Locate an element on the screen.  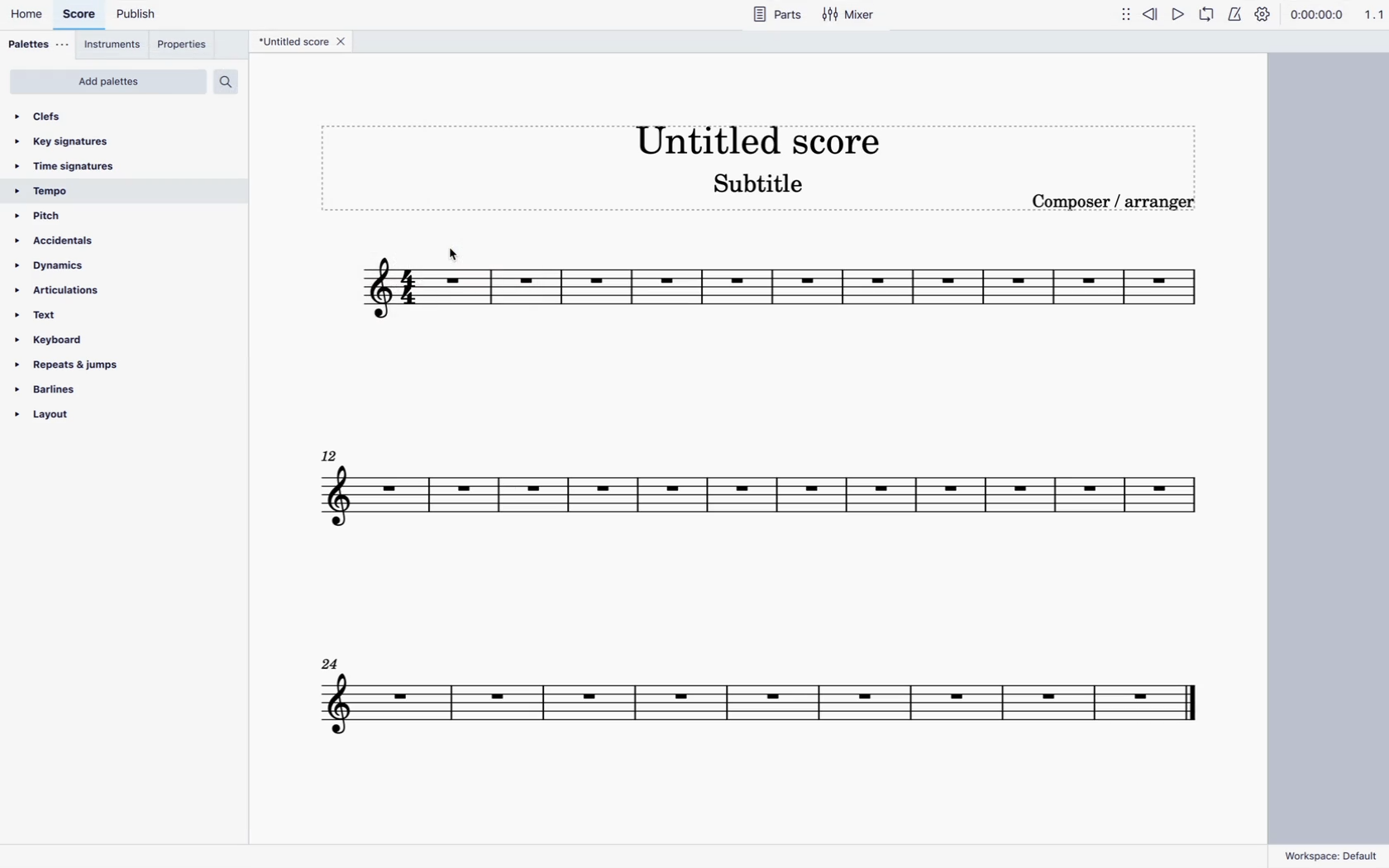
layout is located at coordinates (74, 418).